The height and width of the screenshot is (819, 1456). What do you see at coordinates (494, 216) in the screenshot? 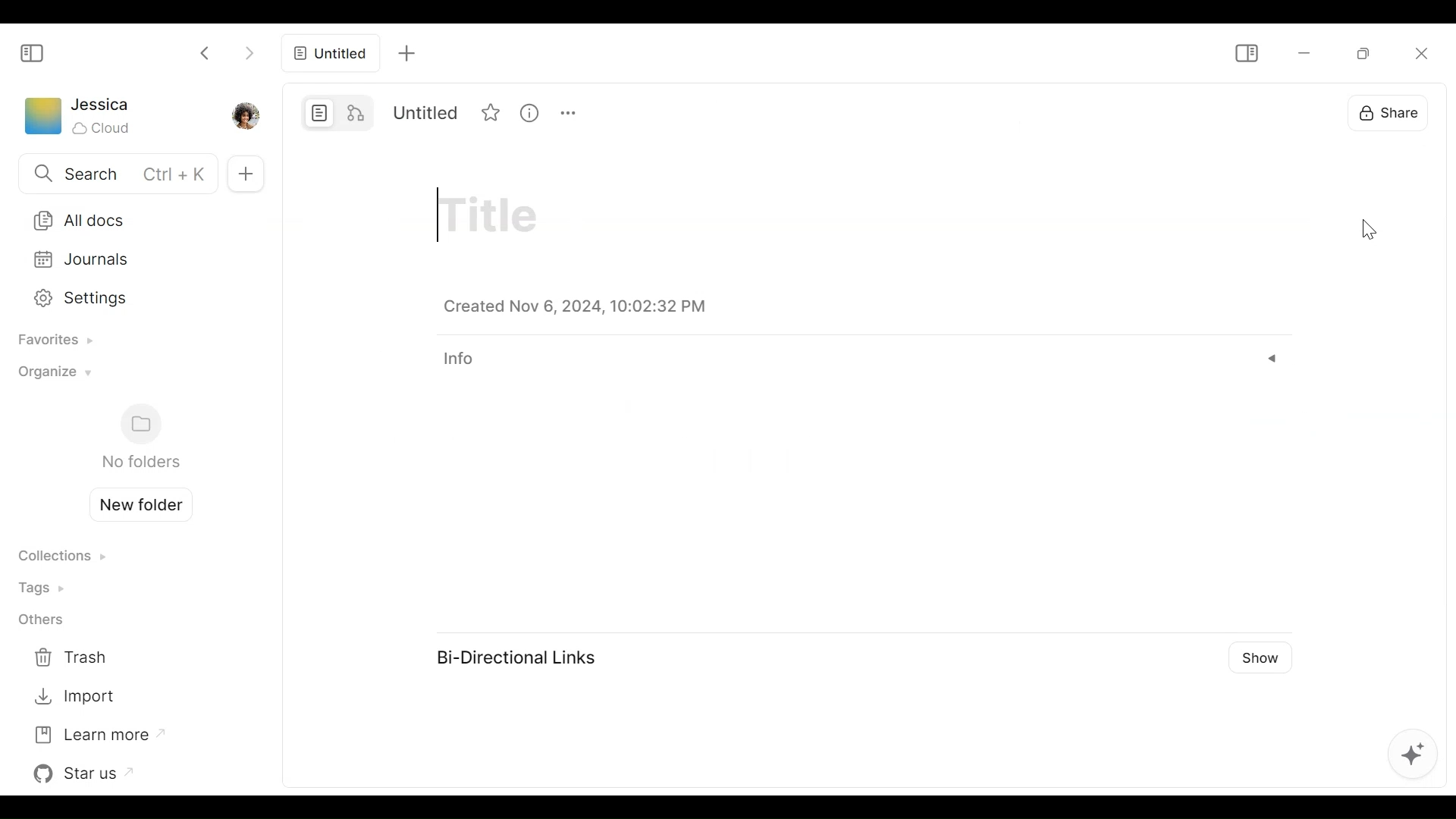
I see `Title` at bounding box center [494, 216].